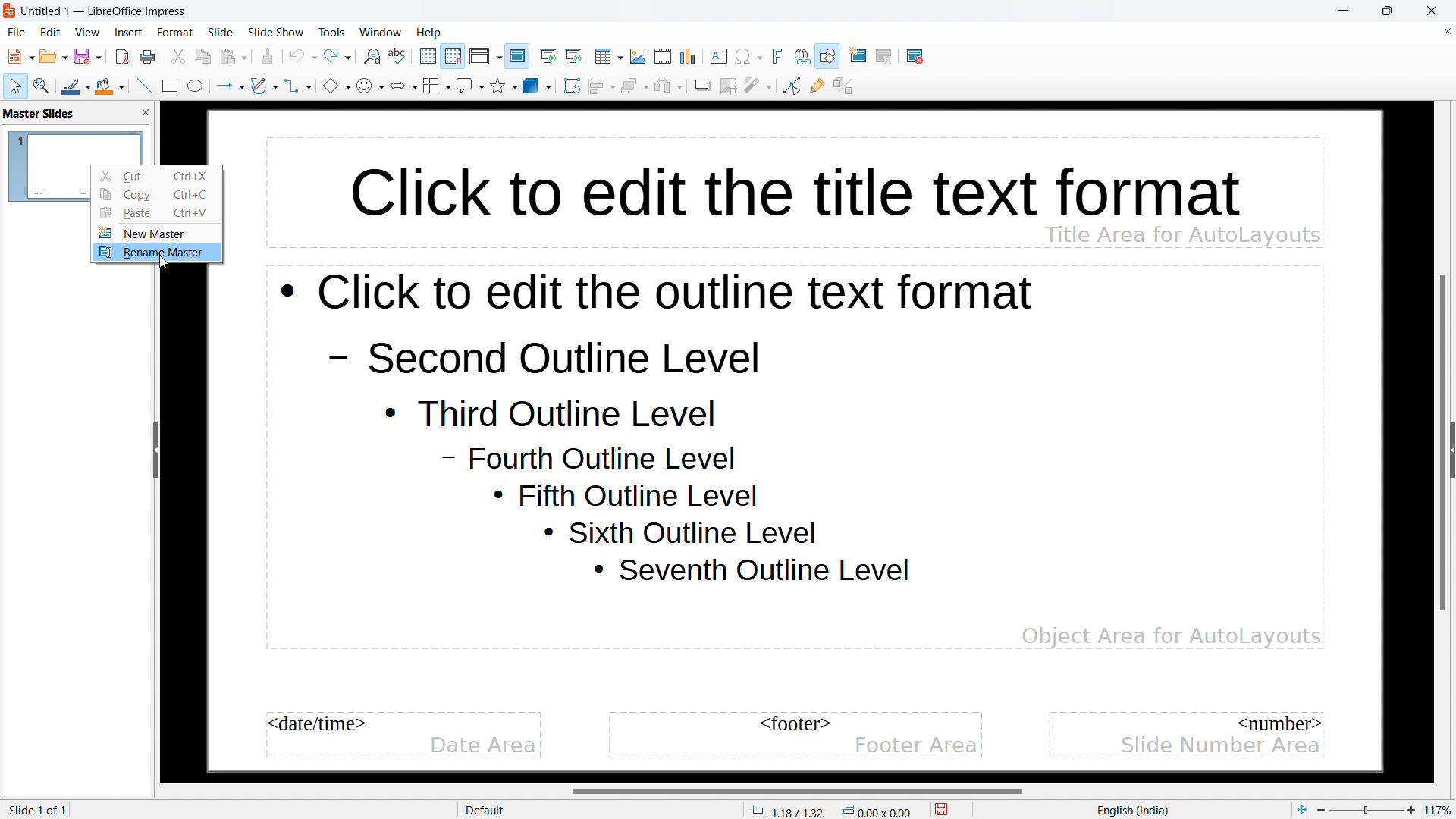 This screenshot has width=1456, height=819. I want to click on dimensions, so click(877, 811).